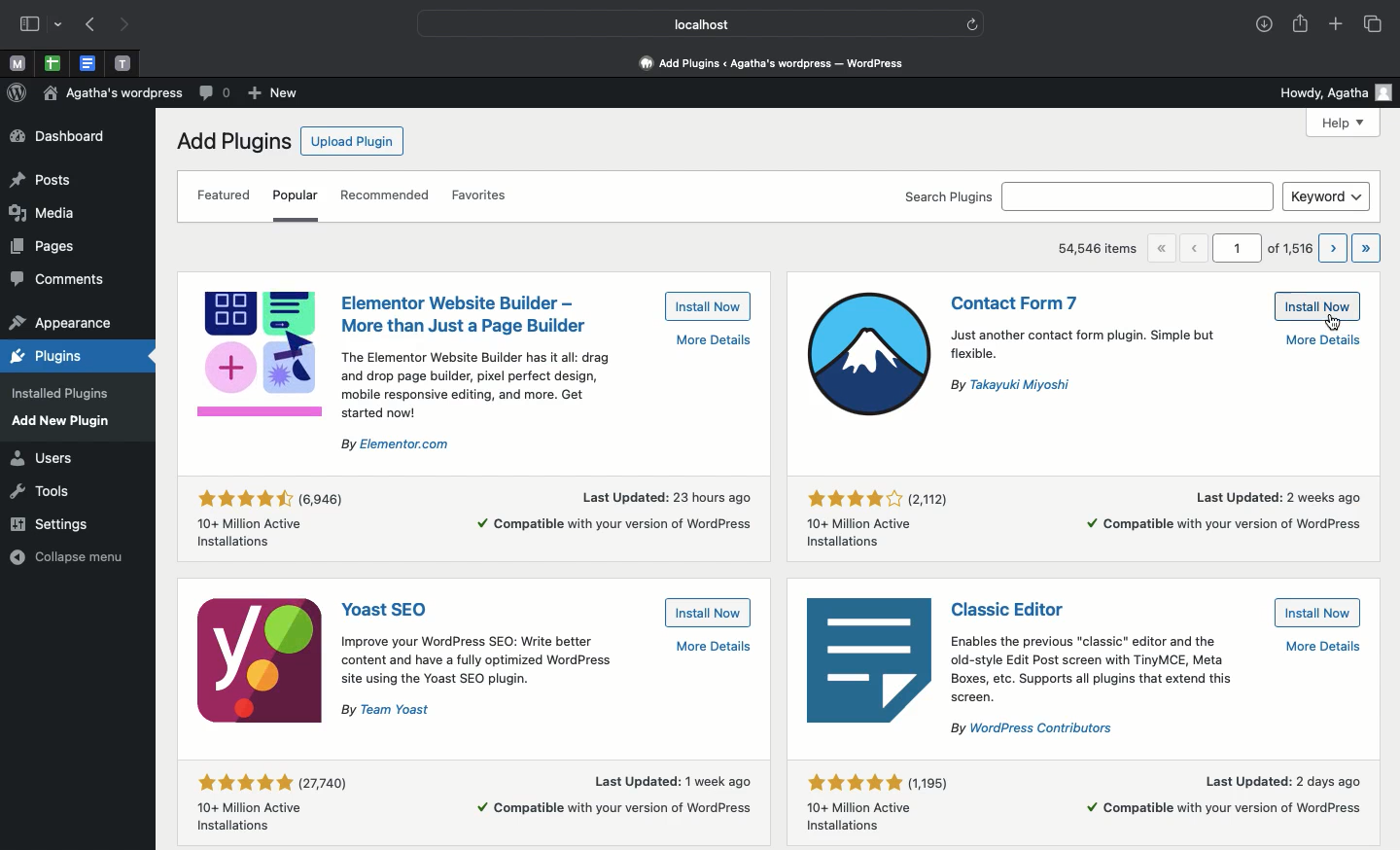 This screenshot has height=850, width=1400. I want to click on Wordpress, so click(17, 94).